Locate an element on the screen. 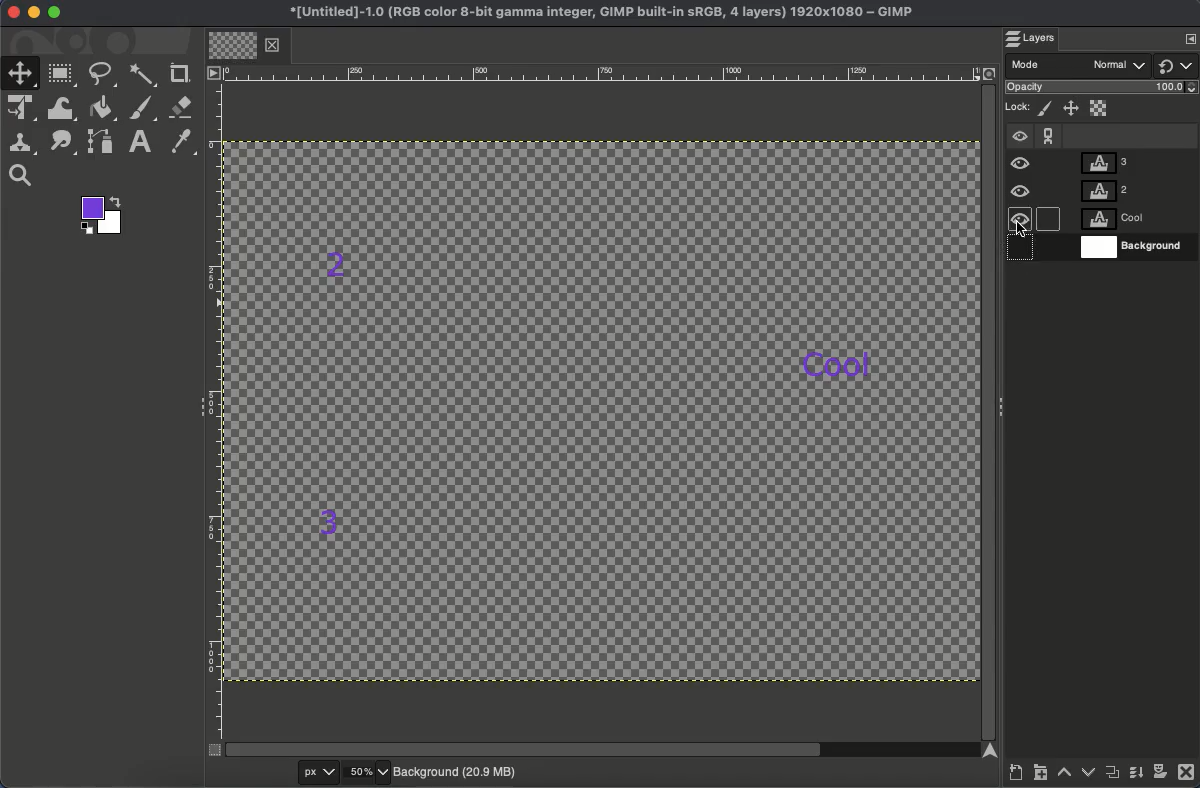  Create a new layer is located at coordinates (1015, 775).